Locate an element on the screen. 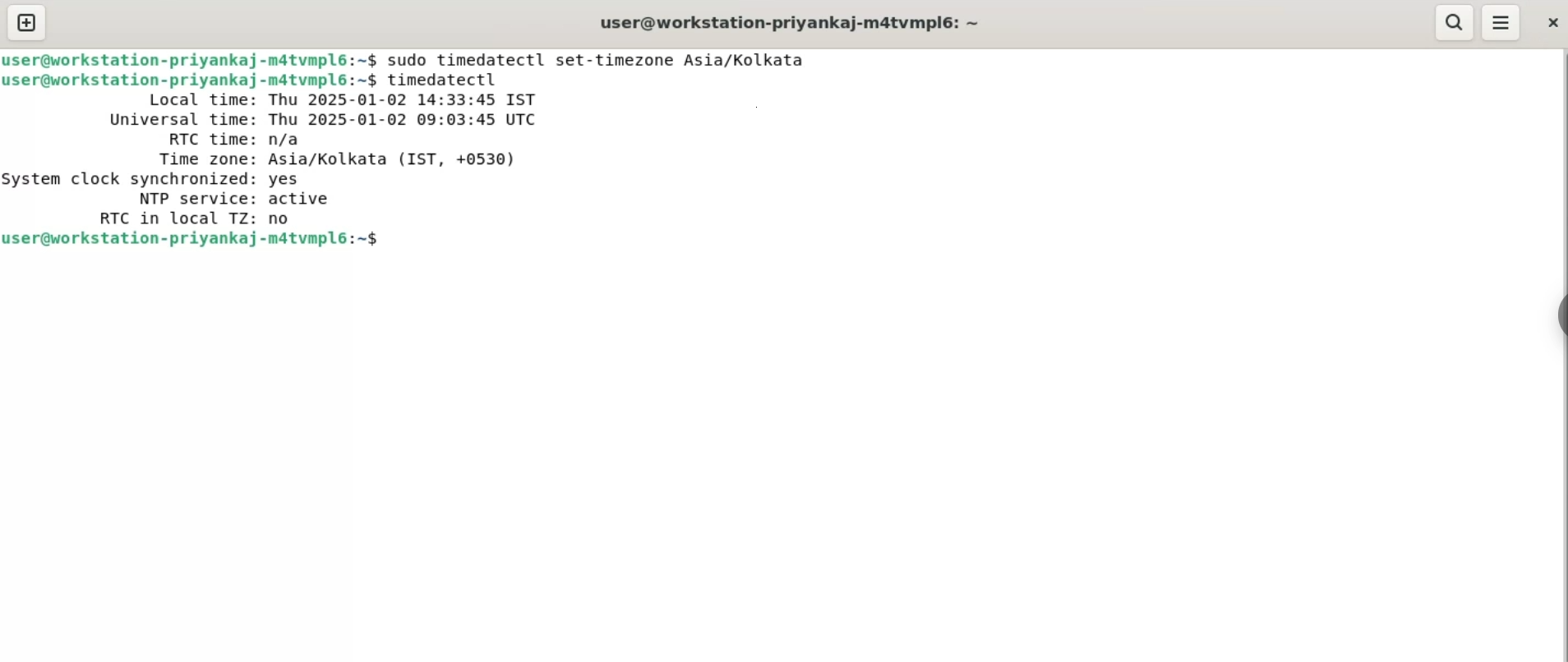 The width and height of the screenshot is (1568, 662). timedatectl is located at coordinates (440, 80).